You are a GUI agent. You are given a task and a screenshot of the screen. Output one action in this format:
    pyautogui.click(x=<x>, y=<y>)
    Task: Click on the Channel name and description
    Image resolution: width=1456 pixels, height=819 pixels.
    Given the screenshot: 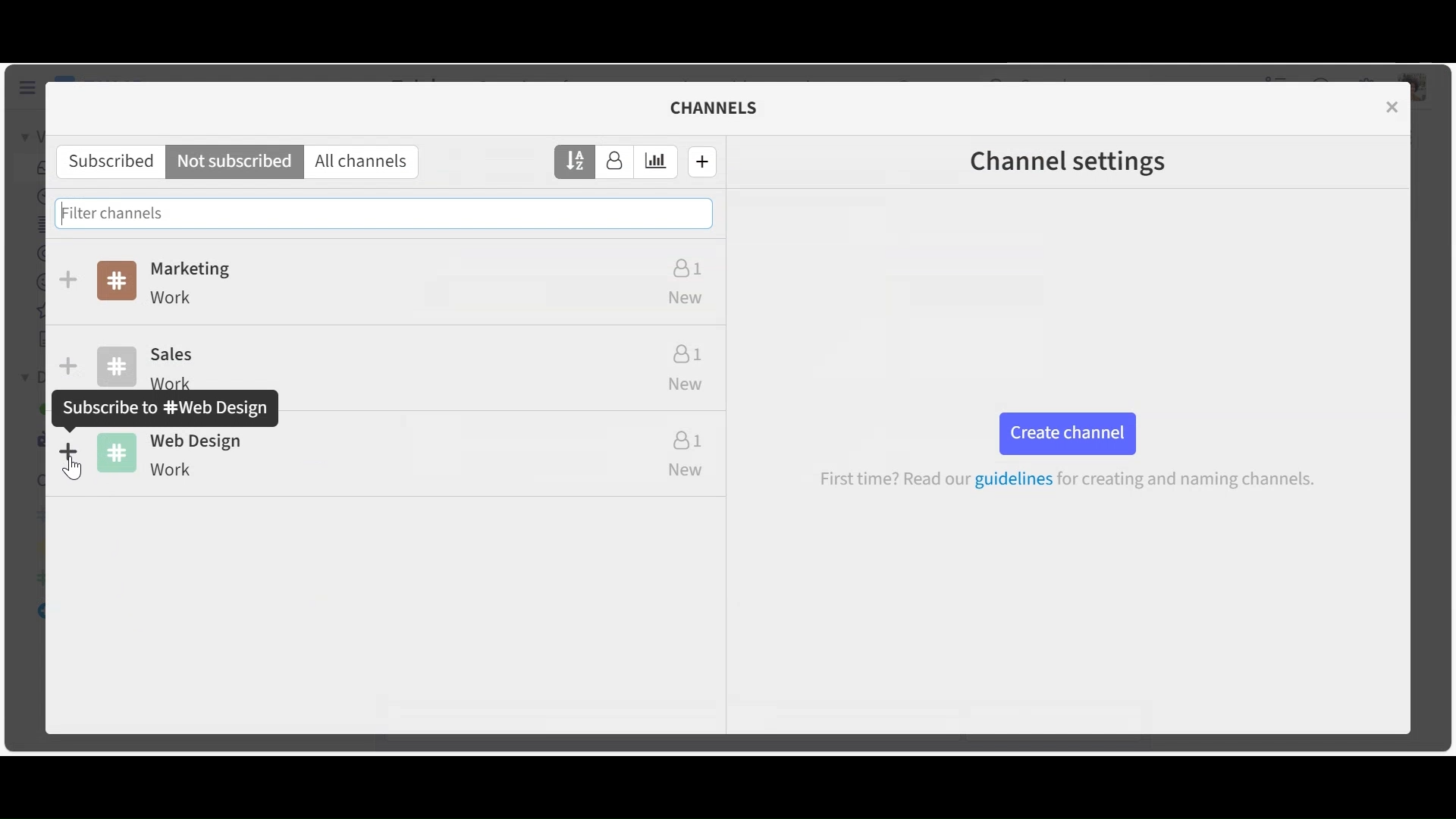 What is the action you would take?
    pyautogui.click(x=403, y=460)
    